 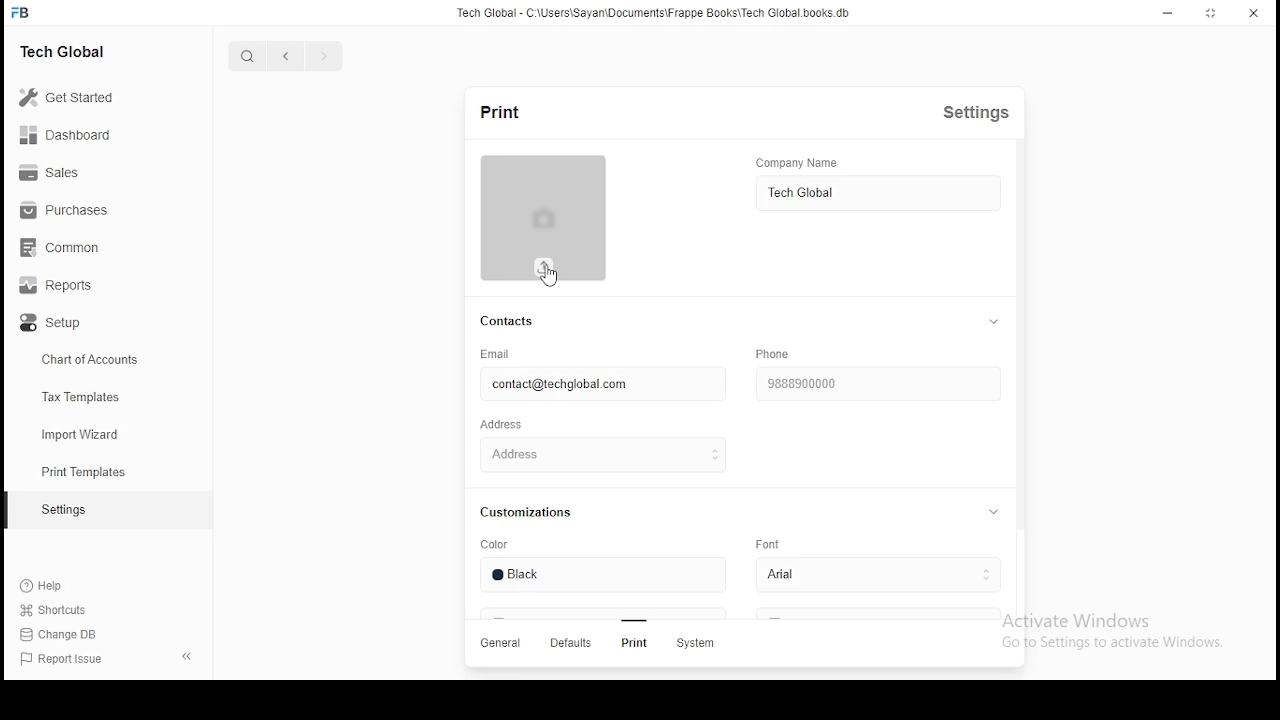 I want to click on Upload Profile Picture , so click(x=546, y=267).